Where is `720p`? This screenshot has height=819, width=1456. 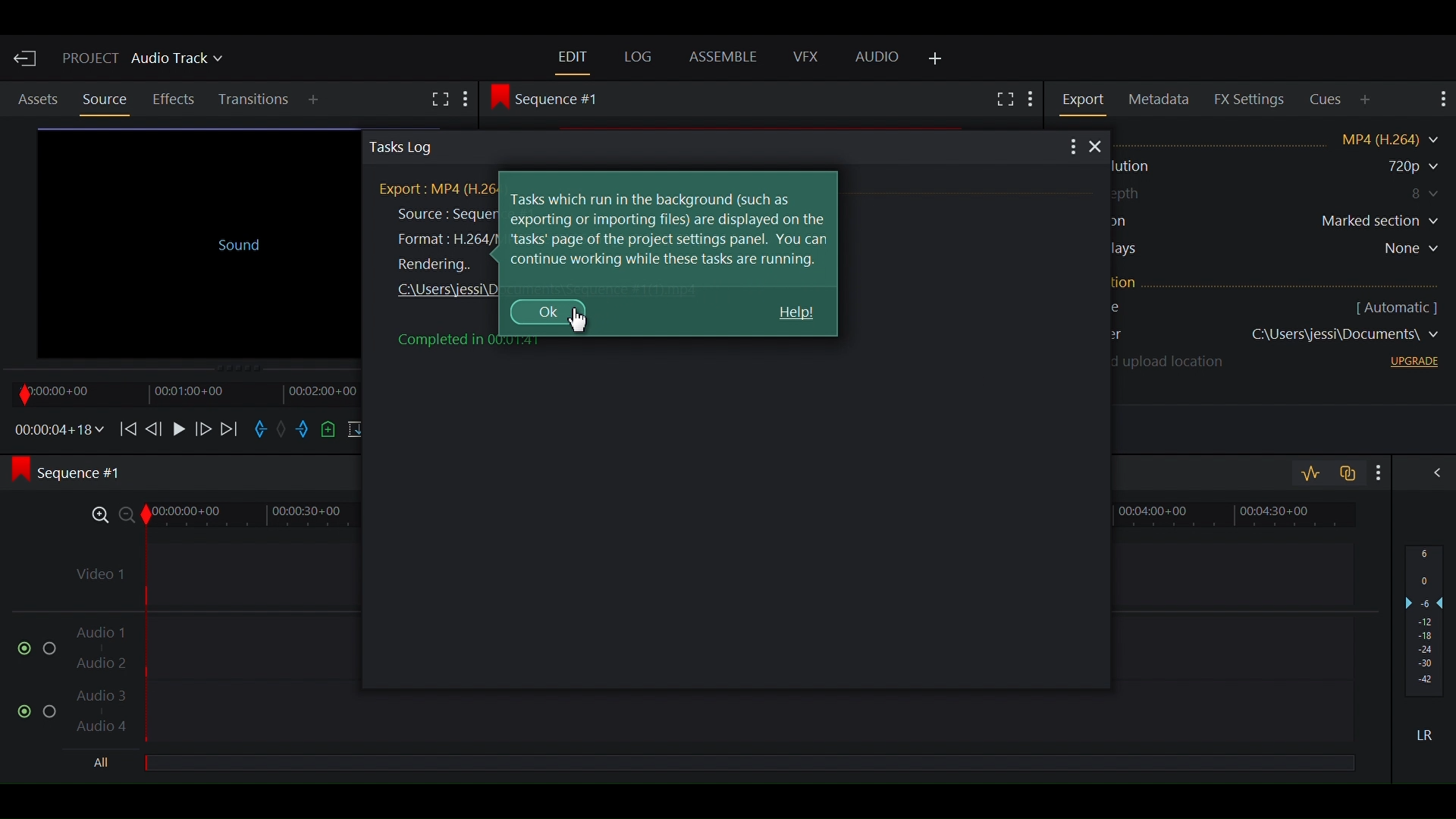
720p is located at coordinates (1395, 167).